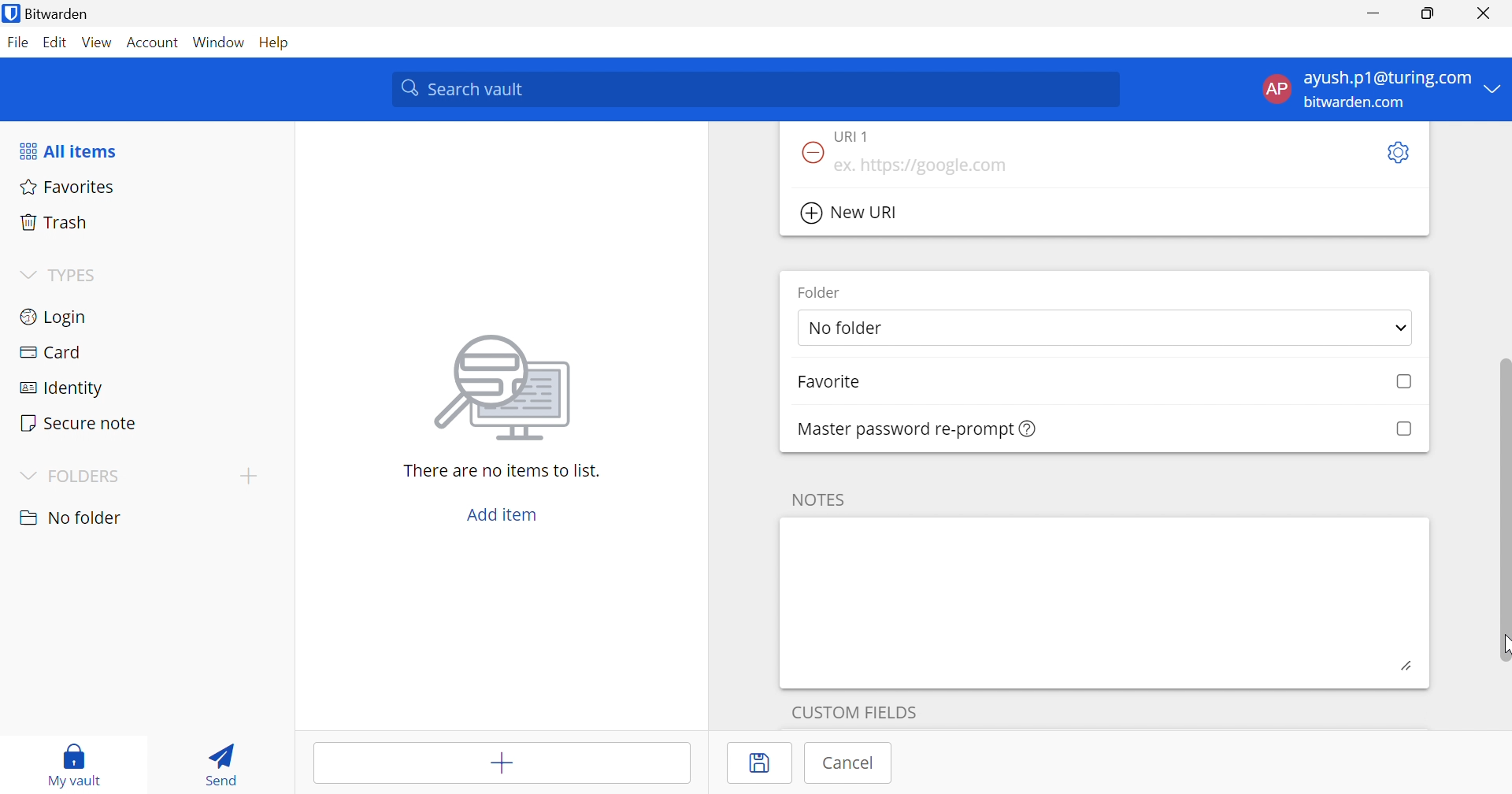 The image size is (1512, 794). What do you see at coordinates (278, 42) in the screenshot?
I see `Help` at bounding box center [278, 42].